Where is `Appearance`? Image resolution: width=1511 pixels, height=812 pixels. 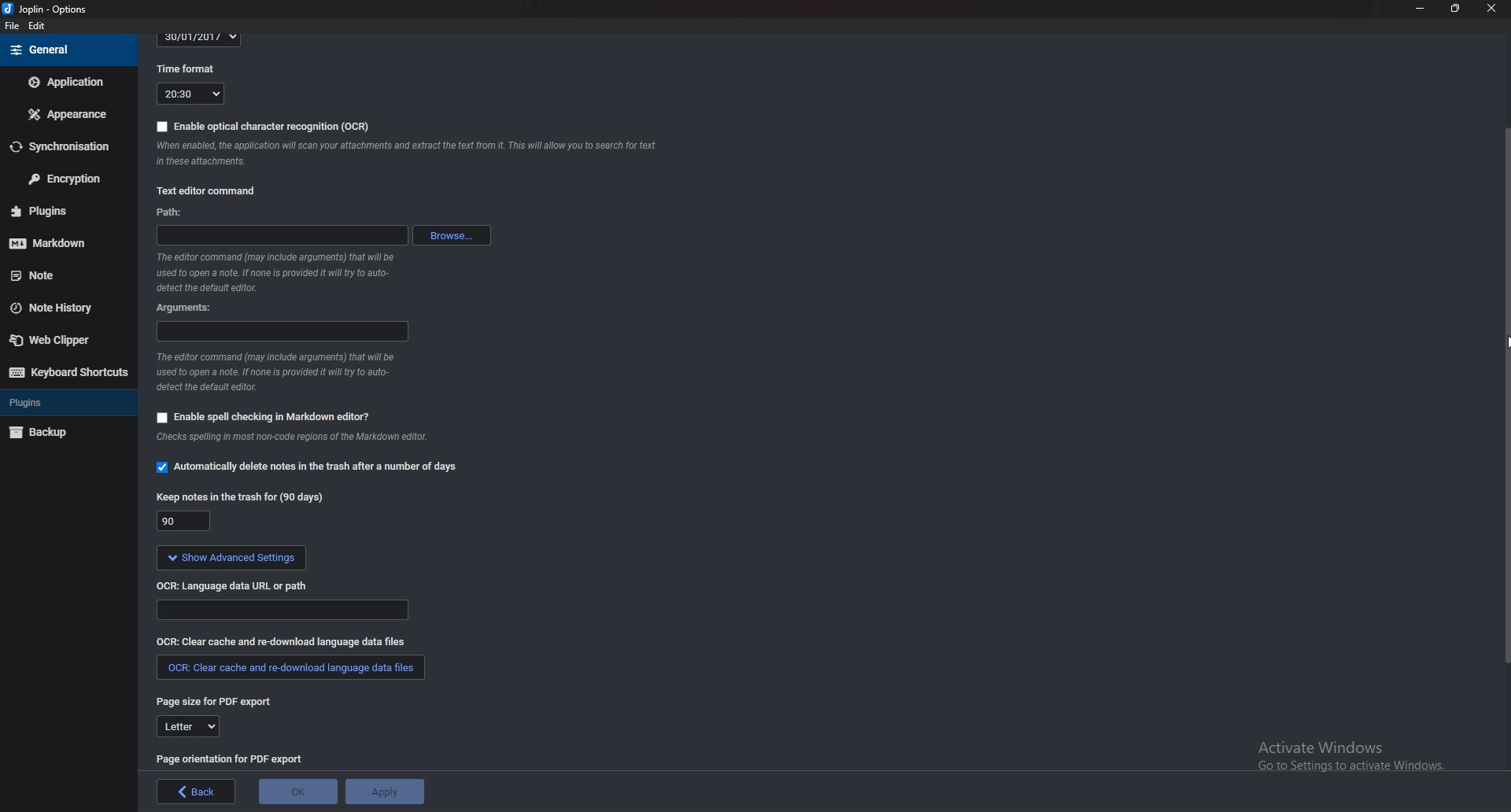 Appearance is located at coordinates (65, 115).